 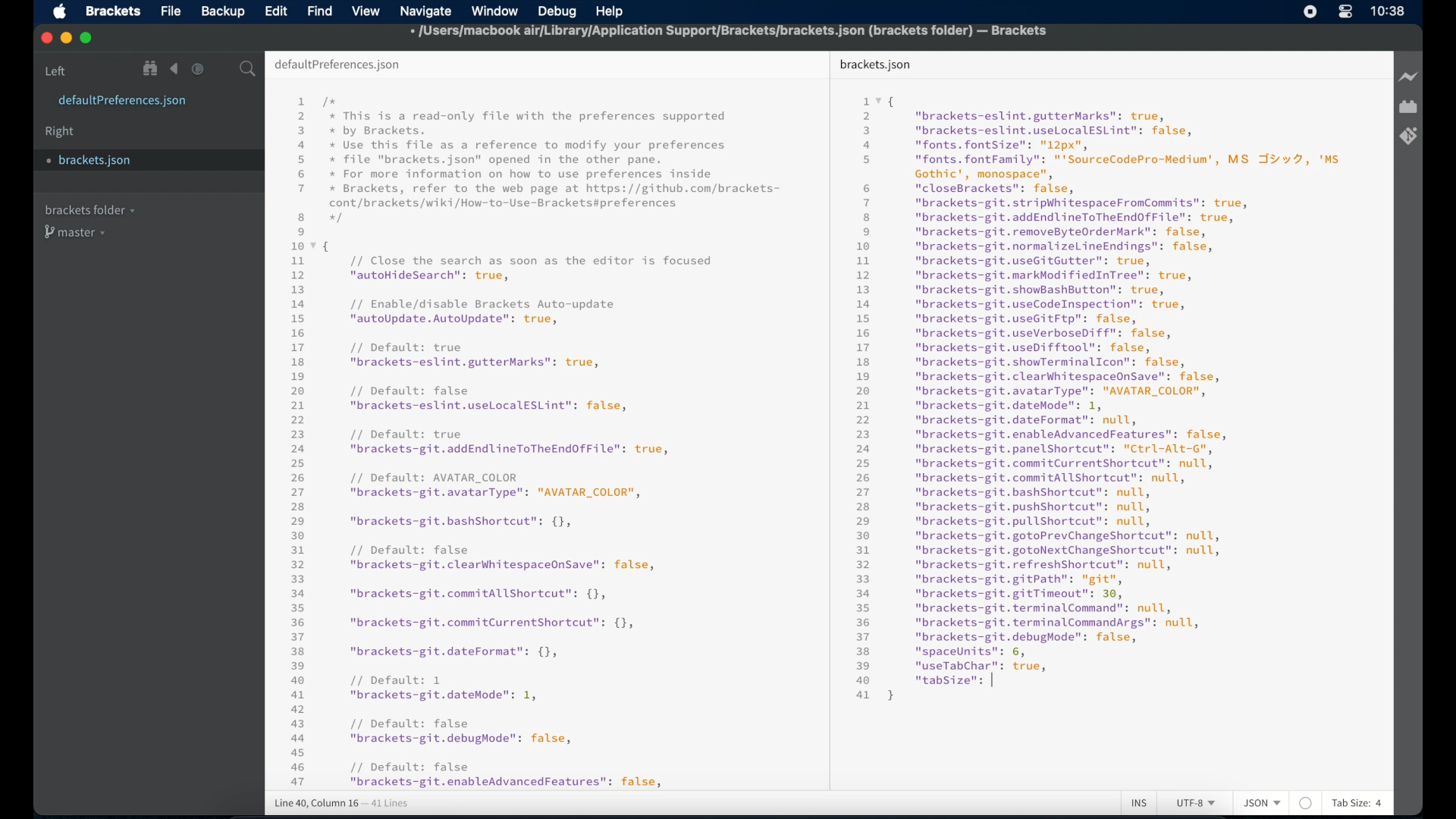 What do you see at coordinates (366, 11) in the screenshot?
I see `view` at bounding box center [366, 11].